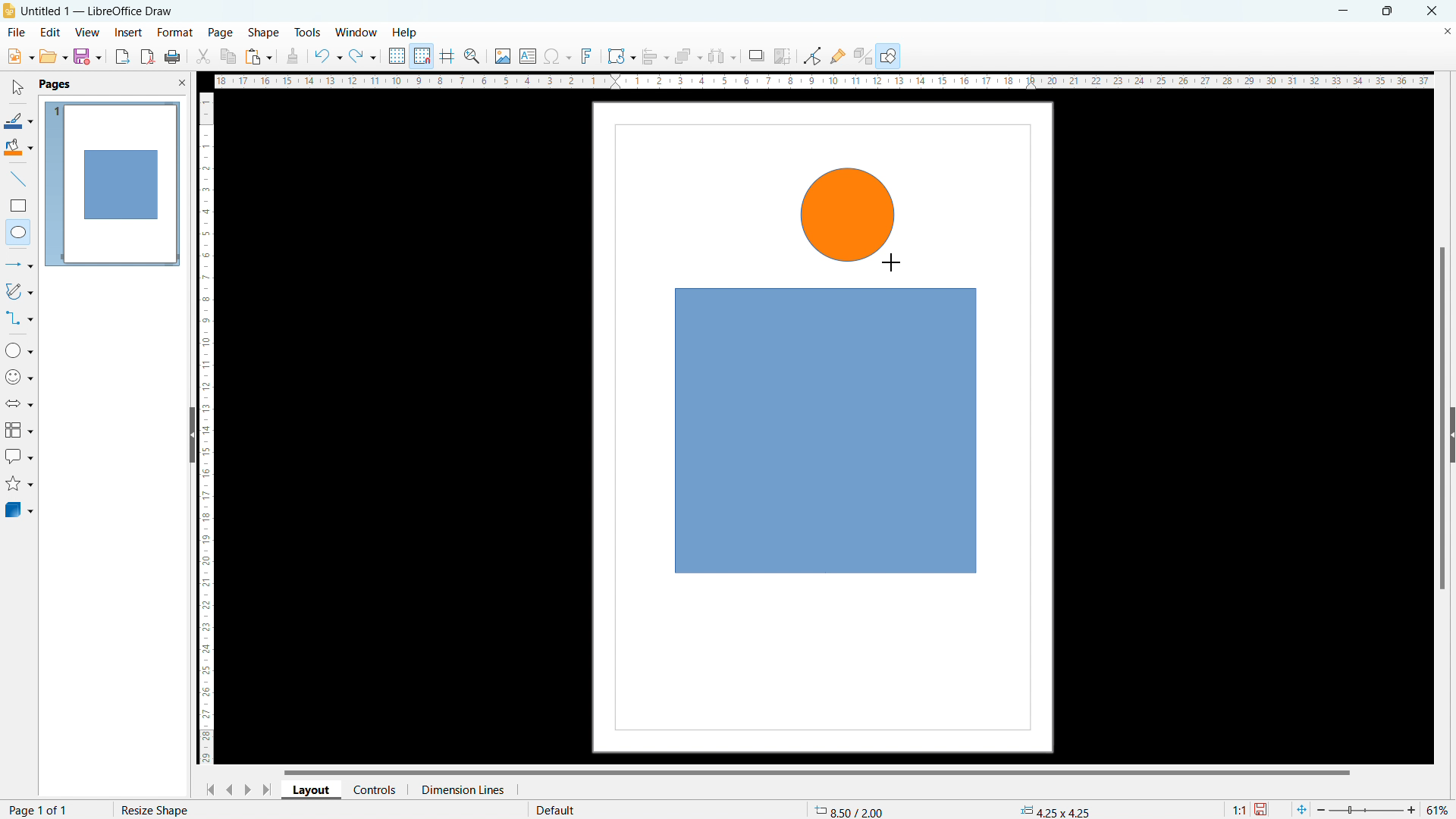  I want to click on lines and arrows, so click(20, 266).